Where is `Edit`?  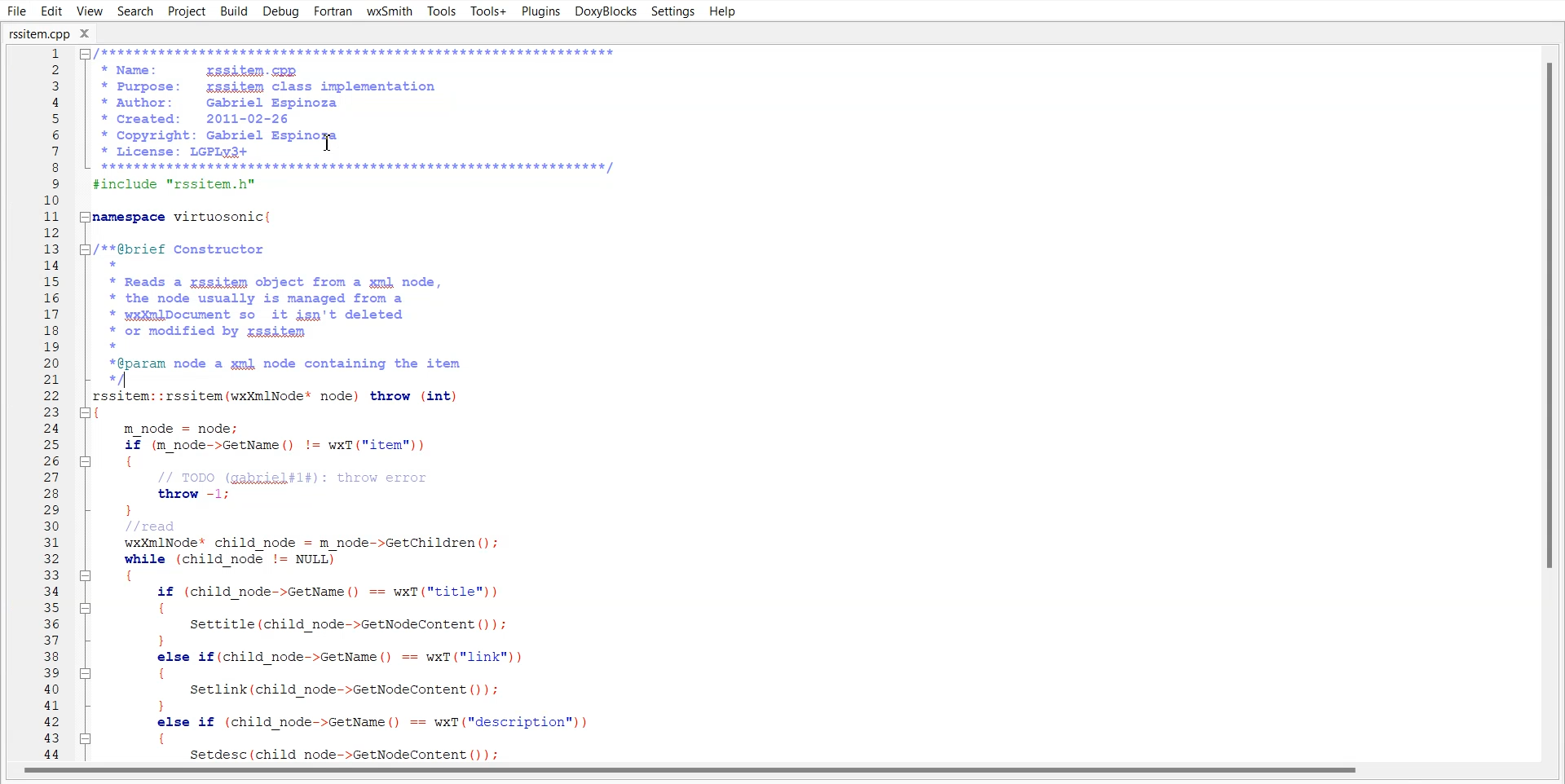 Edit is located at coordinates (52, 11).